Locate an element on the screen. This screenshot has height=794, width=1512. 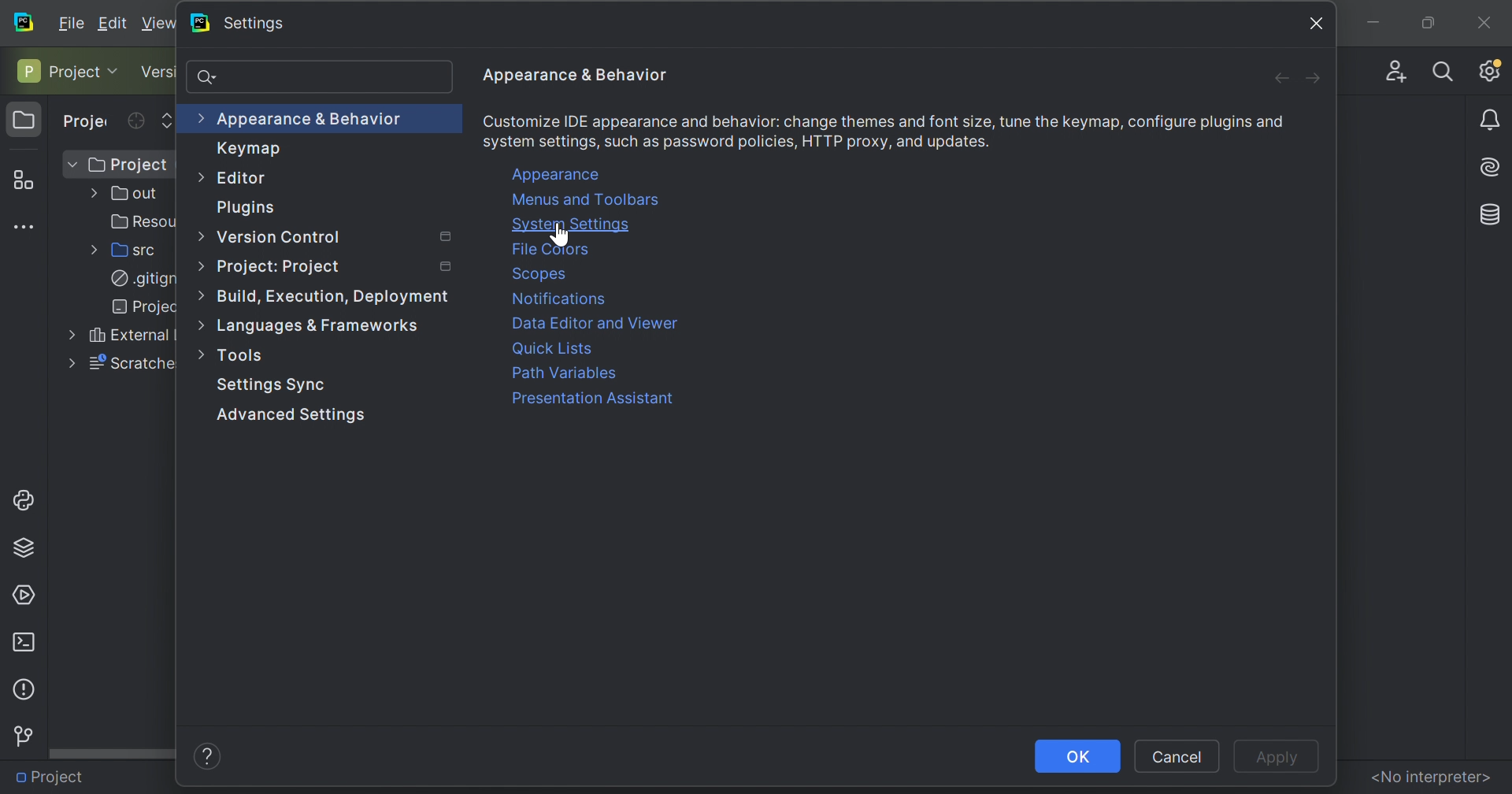
More is located at coordinates (198, 117).